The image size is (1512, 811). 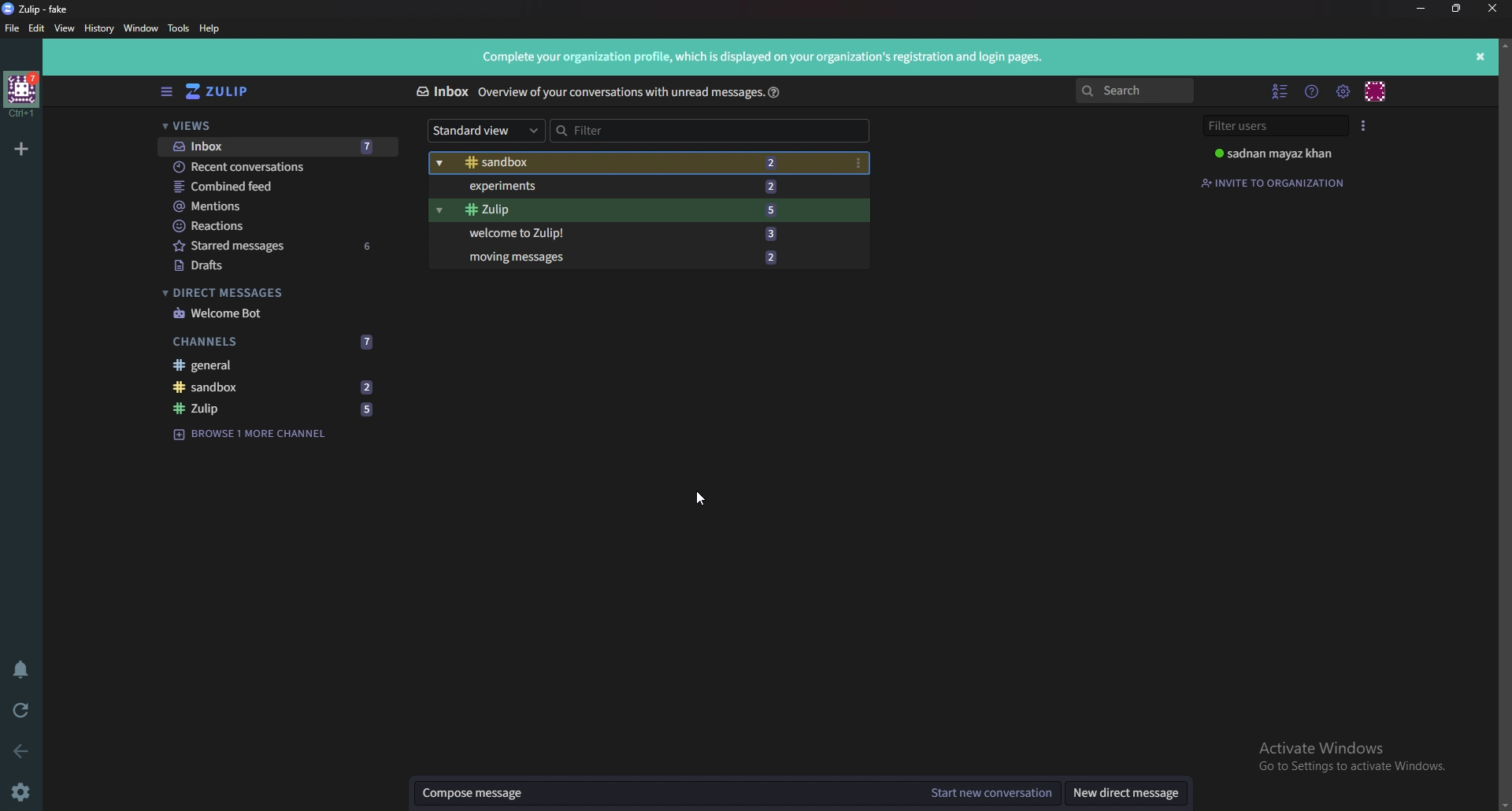 I want to click on Zulip - fake, so click(x=40, y=9).